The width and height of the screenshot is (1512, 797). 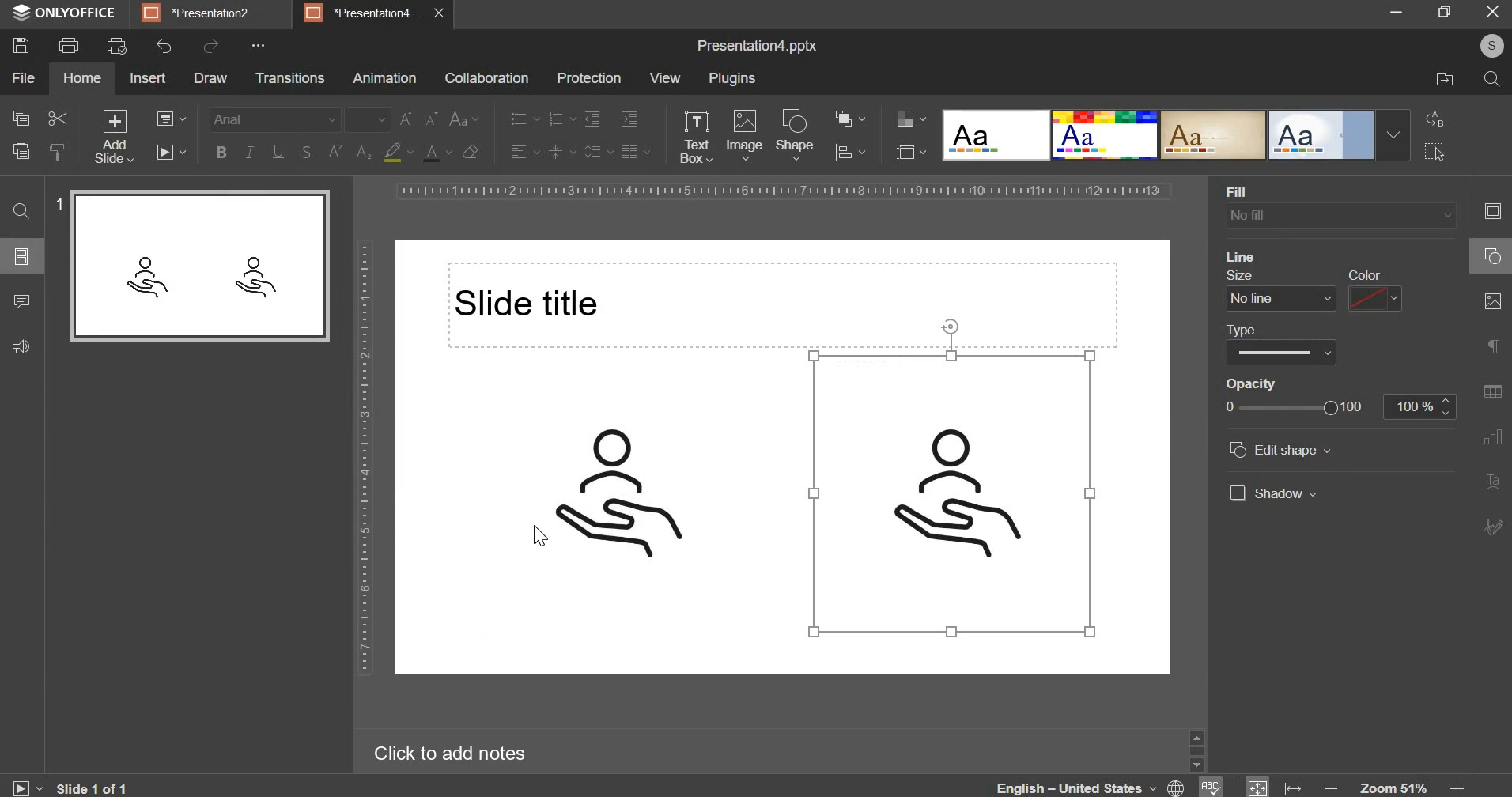 What do you see at coordinates (561, 119) in the screenshot?
I see `numbering` at bounding box center [561, 119].